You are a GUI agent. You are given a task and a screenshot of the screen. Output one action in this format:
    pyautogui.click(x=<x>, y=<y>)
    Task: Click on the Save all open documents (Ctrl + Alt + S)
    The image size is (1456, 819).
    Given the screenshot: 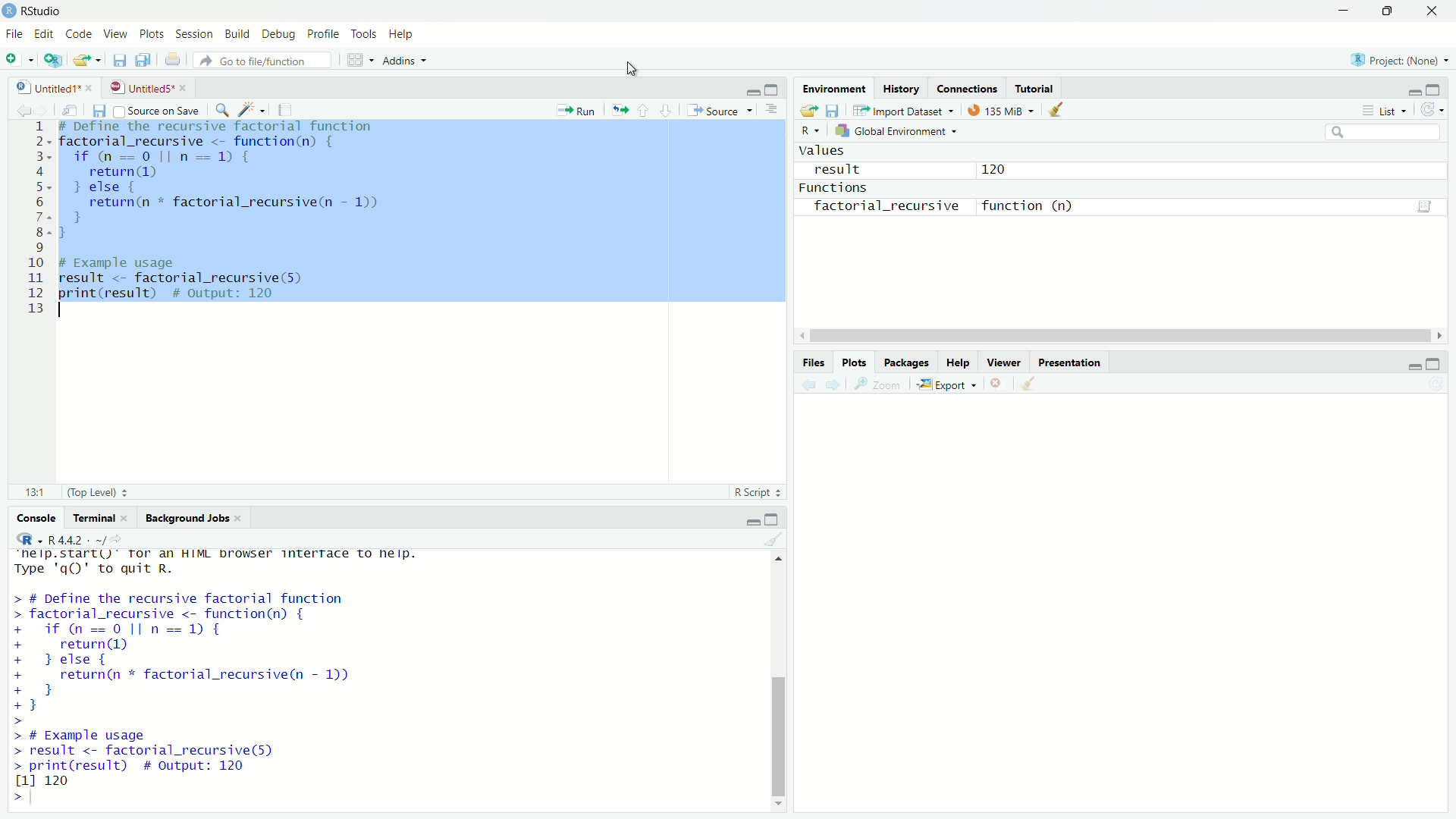 What is the action you would take?
    pyautogui.click(x=148, y=60)
    